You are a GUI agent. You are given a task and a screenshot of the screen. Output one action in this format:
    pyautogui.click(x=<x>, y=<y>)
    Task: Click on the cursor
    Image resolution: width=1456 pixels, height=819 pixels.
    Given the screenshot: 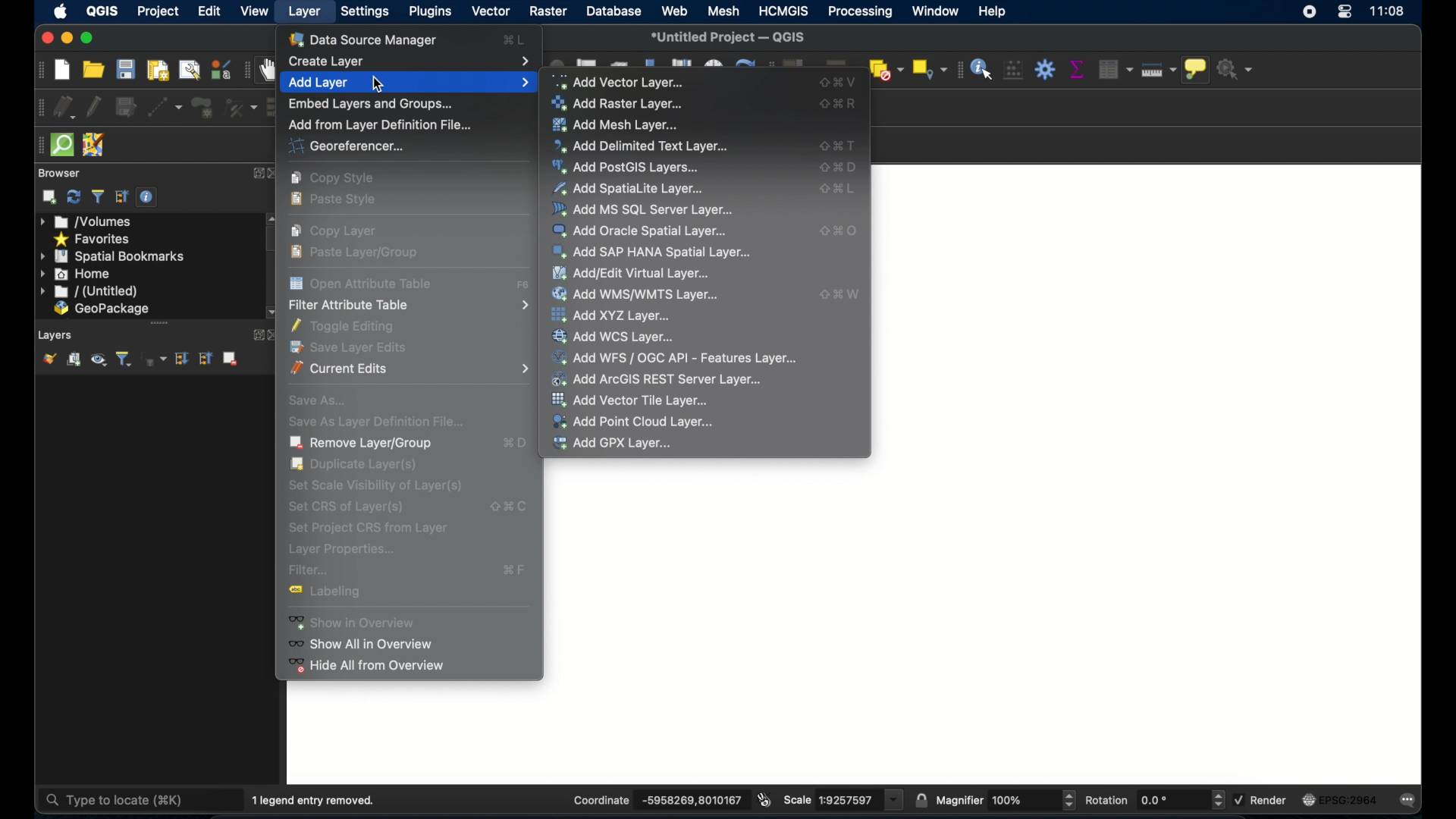 What is the action you would take?
    pyautogui.click(x=380, y=84)
    